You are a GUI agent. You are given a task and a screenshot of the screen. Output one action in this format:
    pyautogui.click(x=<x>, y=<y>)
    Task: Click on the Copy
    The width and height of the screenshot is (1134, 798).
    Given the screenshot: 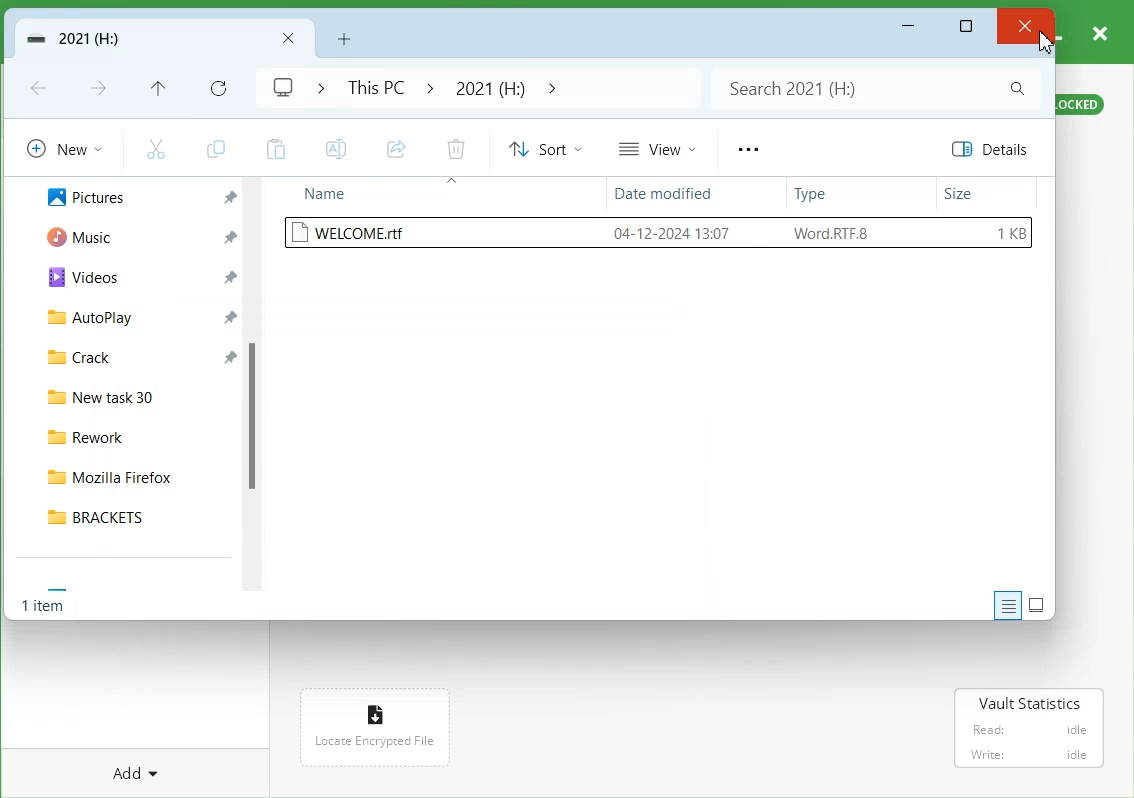 What is the action you would take?
    pyautogui.click(x=216, y=145)
    